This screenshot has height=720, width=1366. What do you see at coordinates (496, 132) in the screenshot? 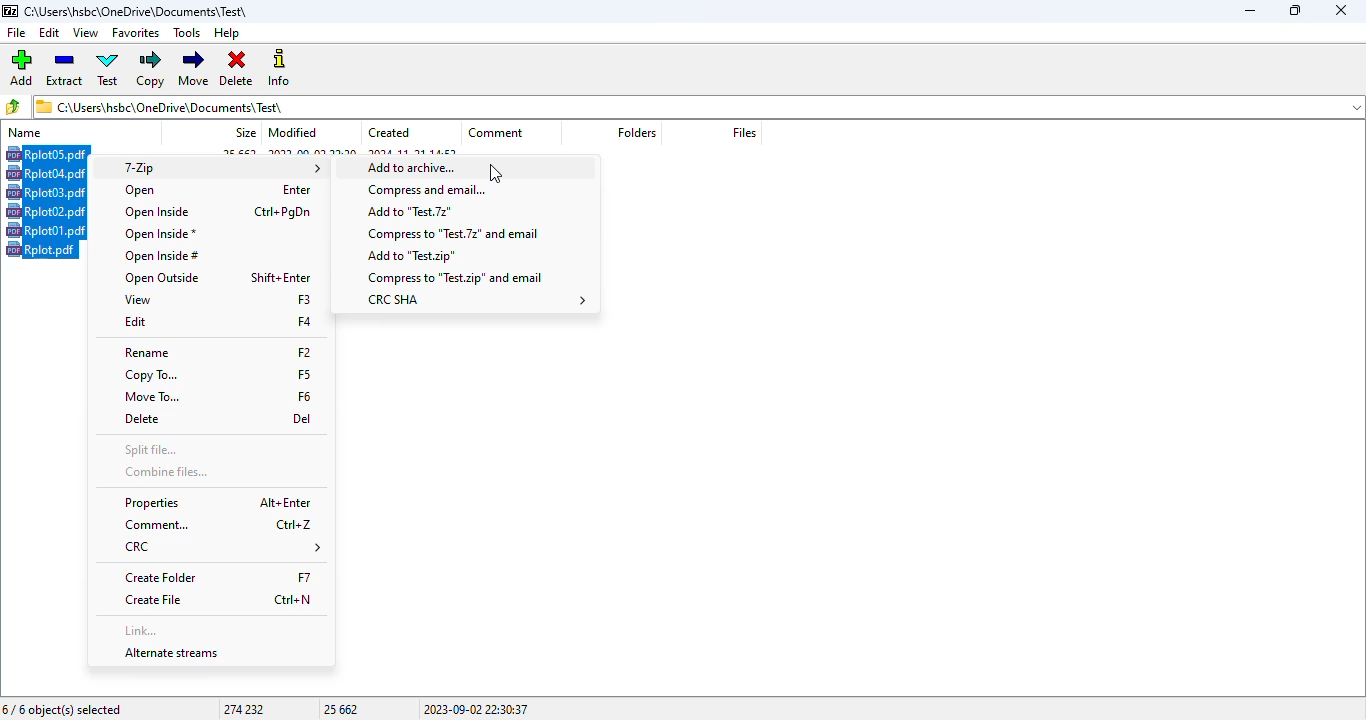
I see `comment` at bounding box center [496, 132].